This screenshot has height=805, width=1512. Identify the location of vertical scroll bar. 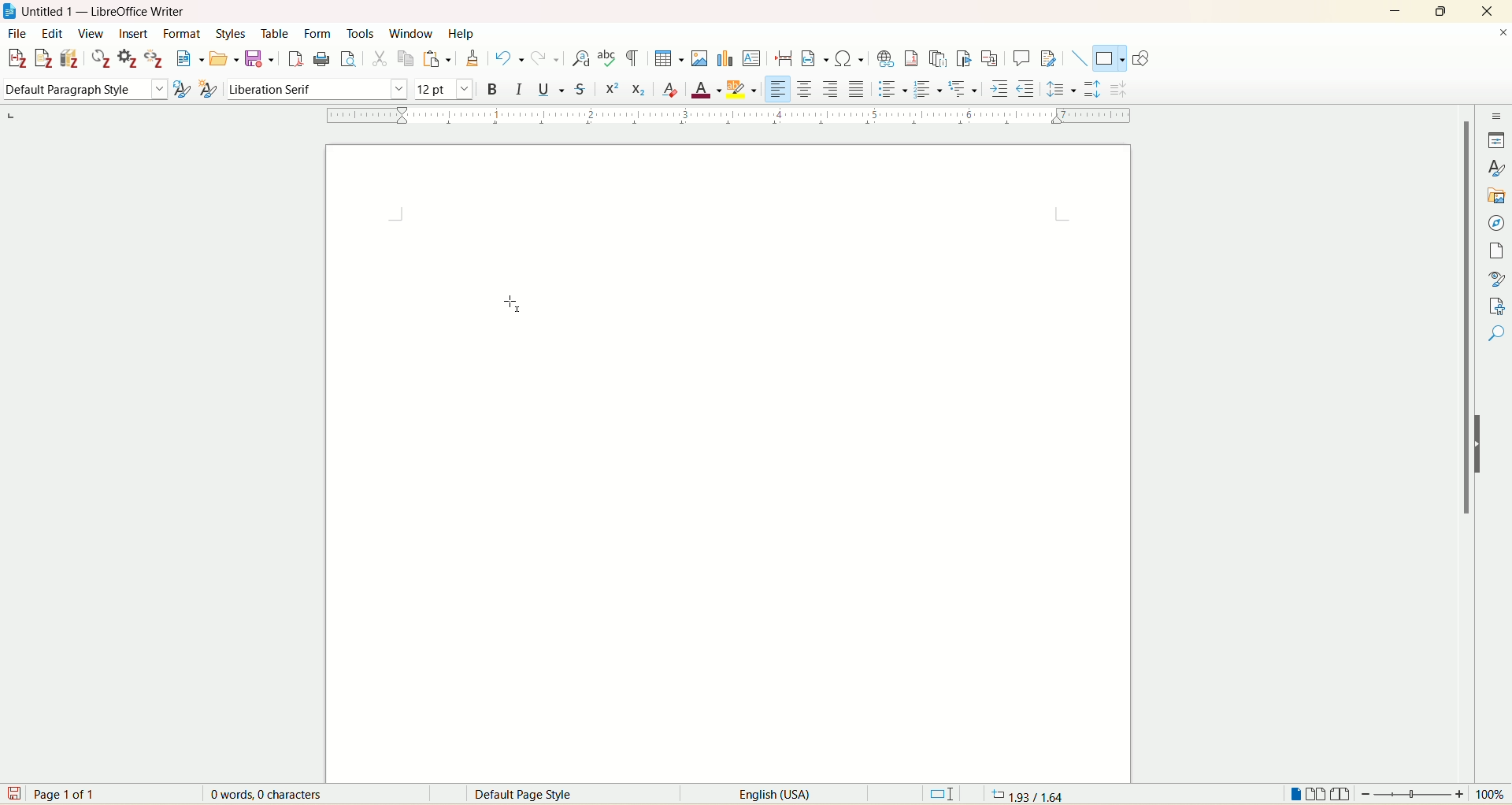
(1463, 432).